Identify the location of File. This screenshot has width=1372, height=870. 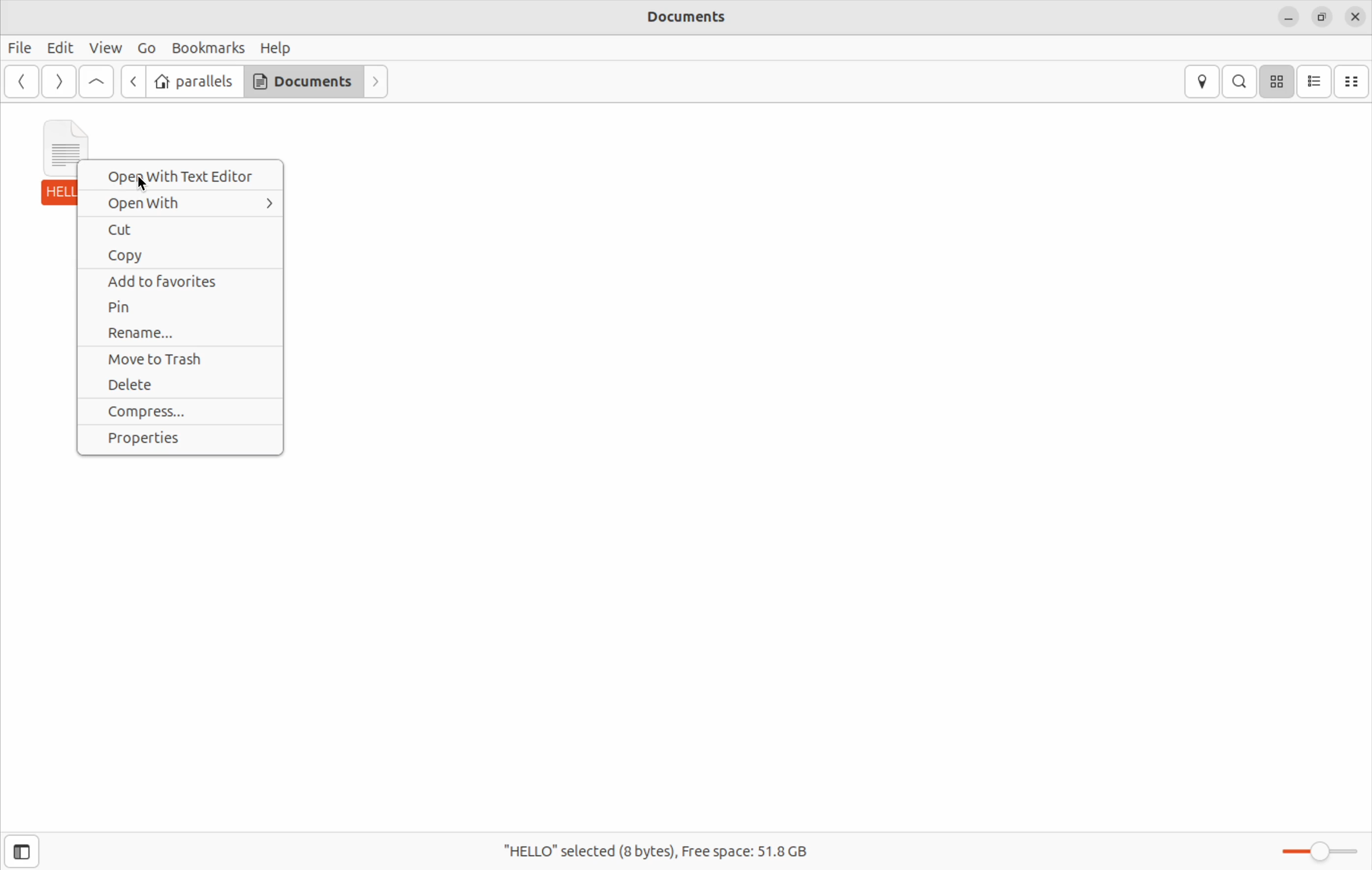
(19, 48).